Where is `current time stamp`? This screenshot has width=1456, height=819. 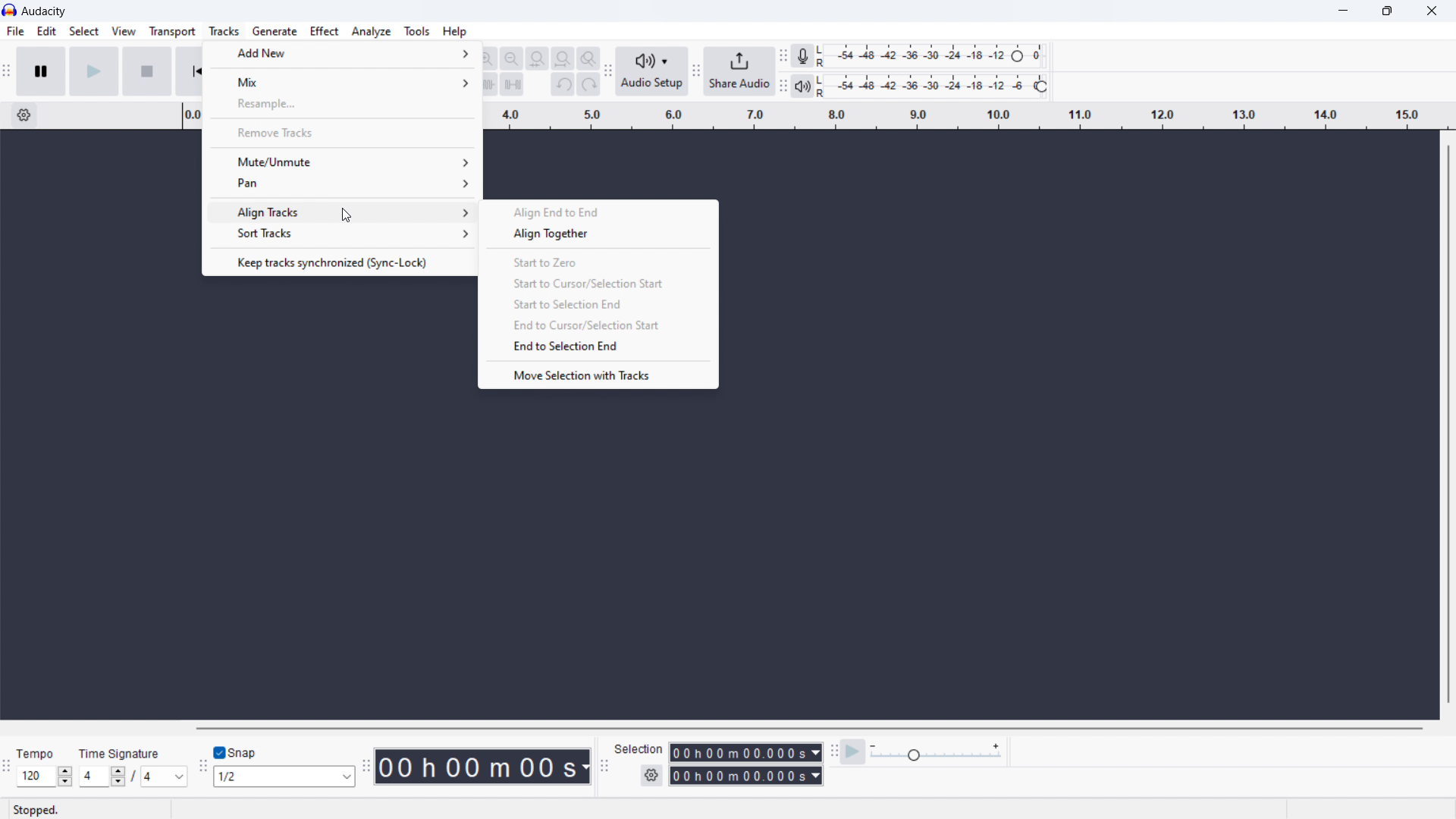
current time stamp is located at coordinates (480, 766).